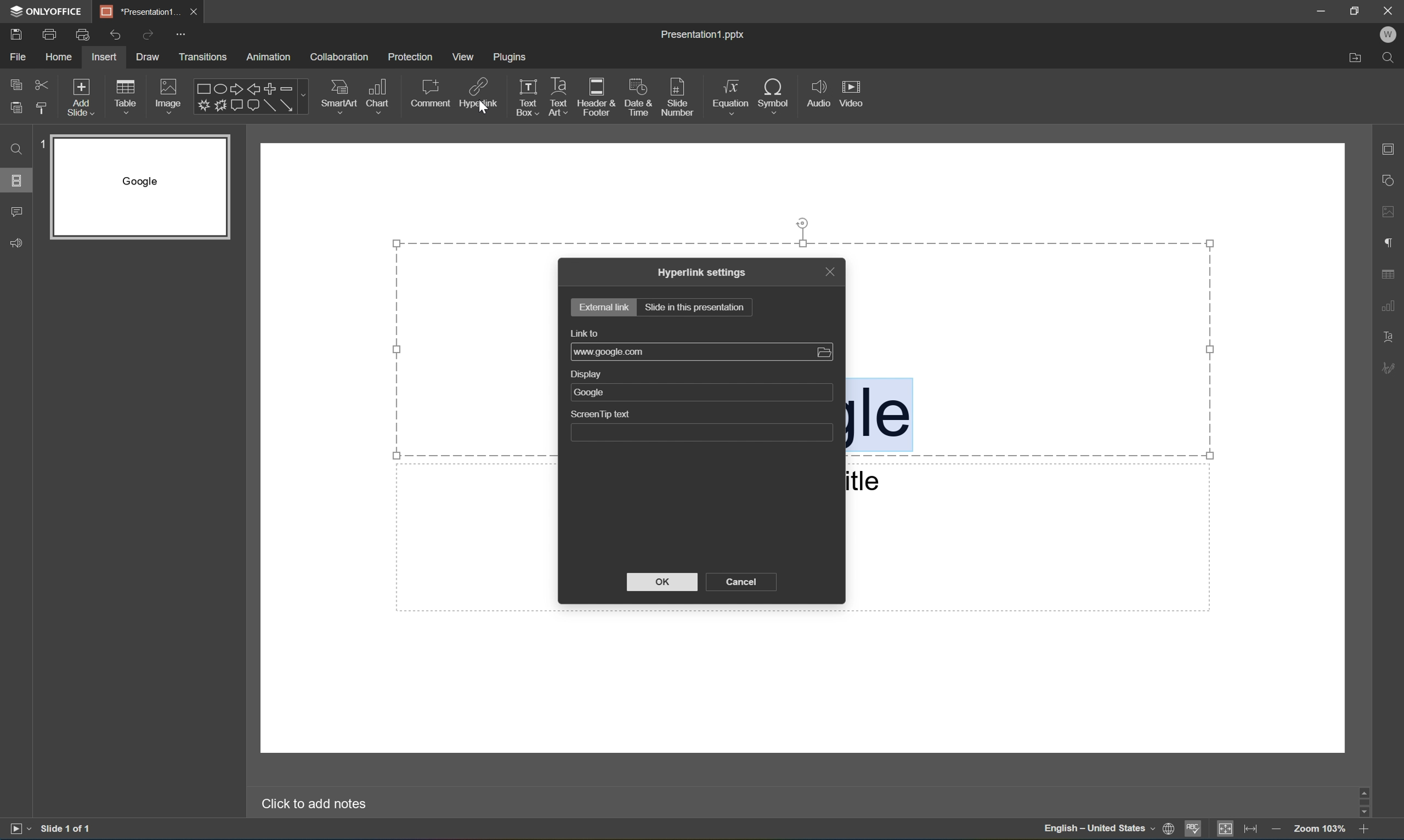 Image resolution: width=1404 pixels, height=840 pixels. Describe the element at coordinates (850, 92) in the screenshot. I see `Video` at that location.